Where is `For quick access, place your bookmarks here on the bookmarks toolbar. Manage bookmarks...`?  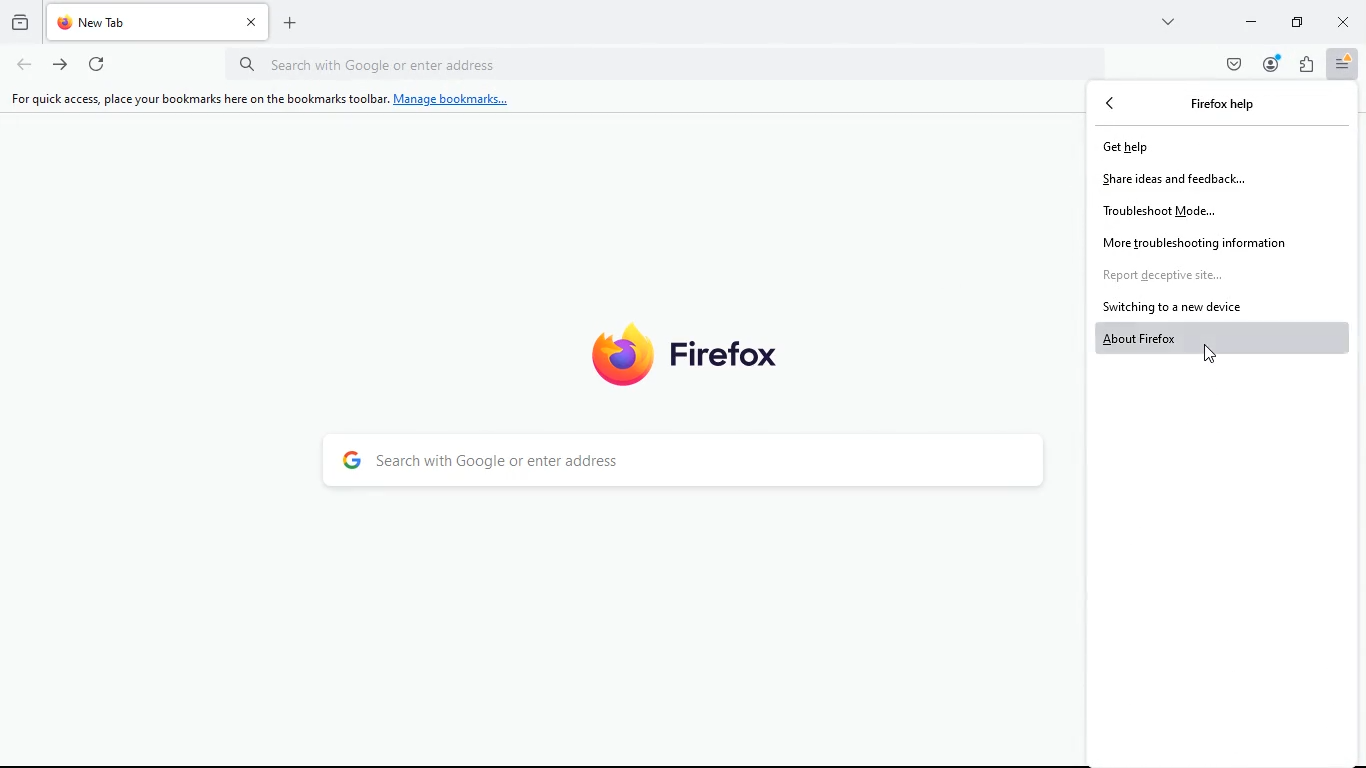 For quick access, place your bookmarks here on the bookmarks toolbar. Manage bookmarks... is located at coordinates (259, 99).